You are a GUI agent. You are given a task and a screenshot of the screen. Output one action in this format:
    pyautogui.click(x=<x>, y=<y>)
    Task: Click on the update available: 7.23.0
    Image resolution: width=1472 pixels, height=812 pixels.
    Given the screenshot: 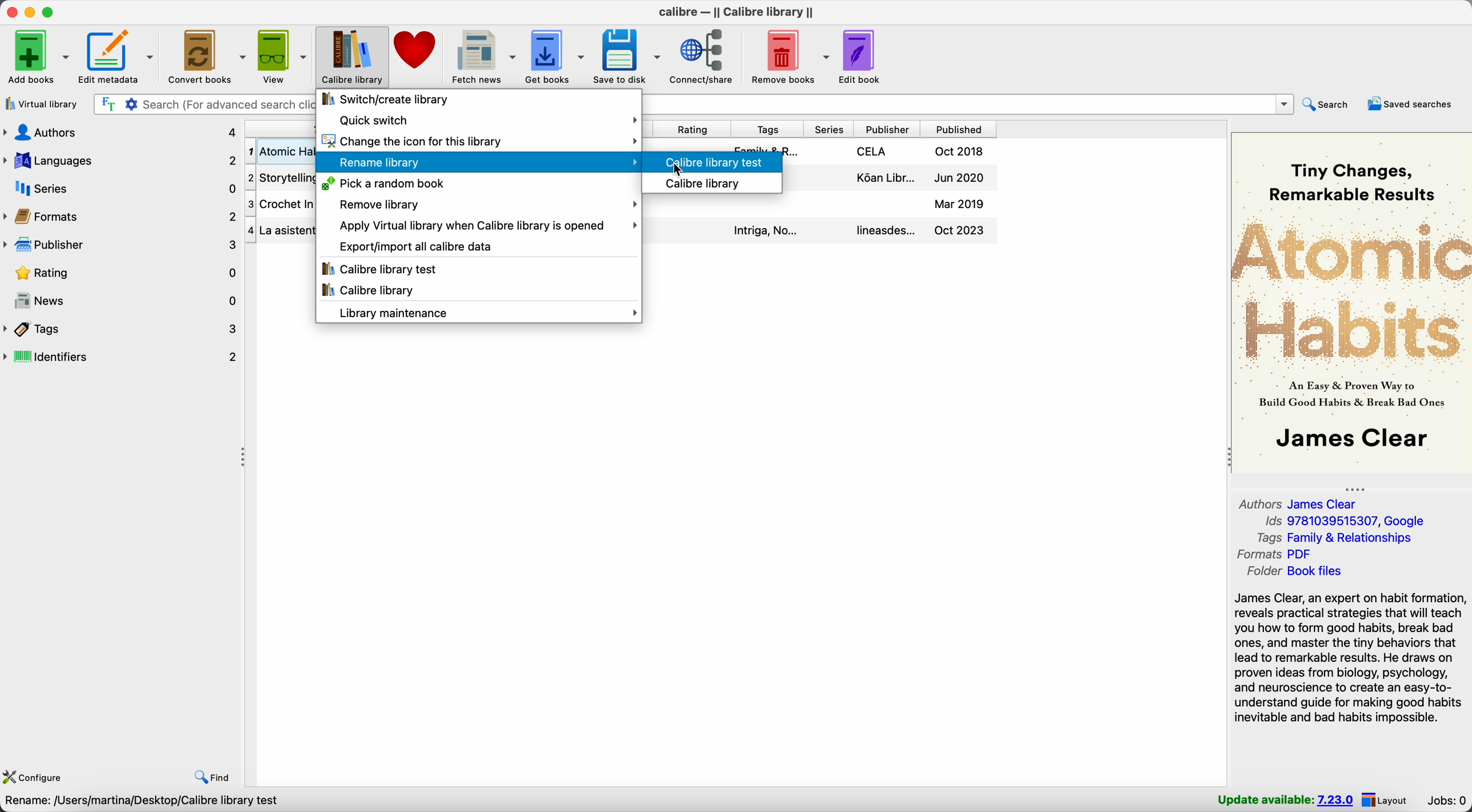 What is the action you would take?
    pyautogui.click(x=1283, y=799)
    